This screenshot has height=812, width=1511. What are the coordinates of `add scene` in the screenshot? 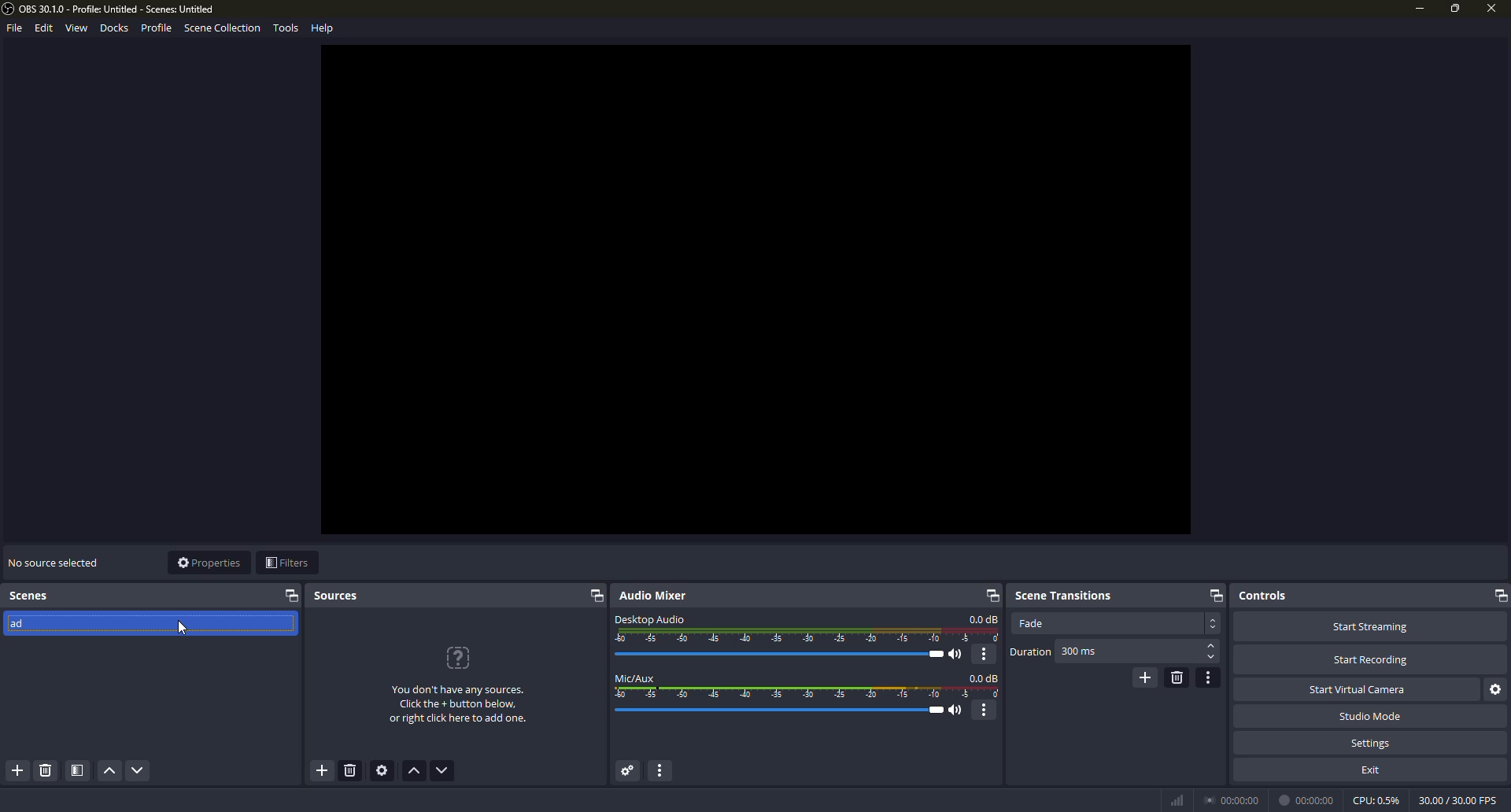 It's located at (19, 771).